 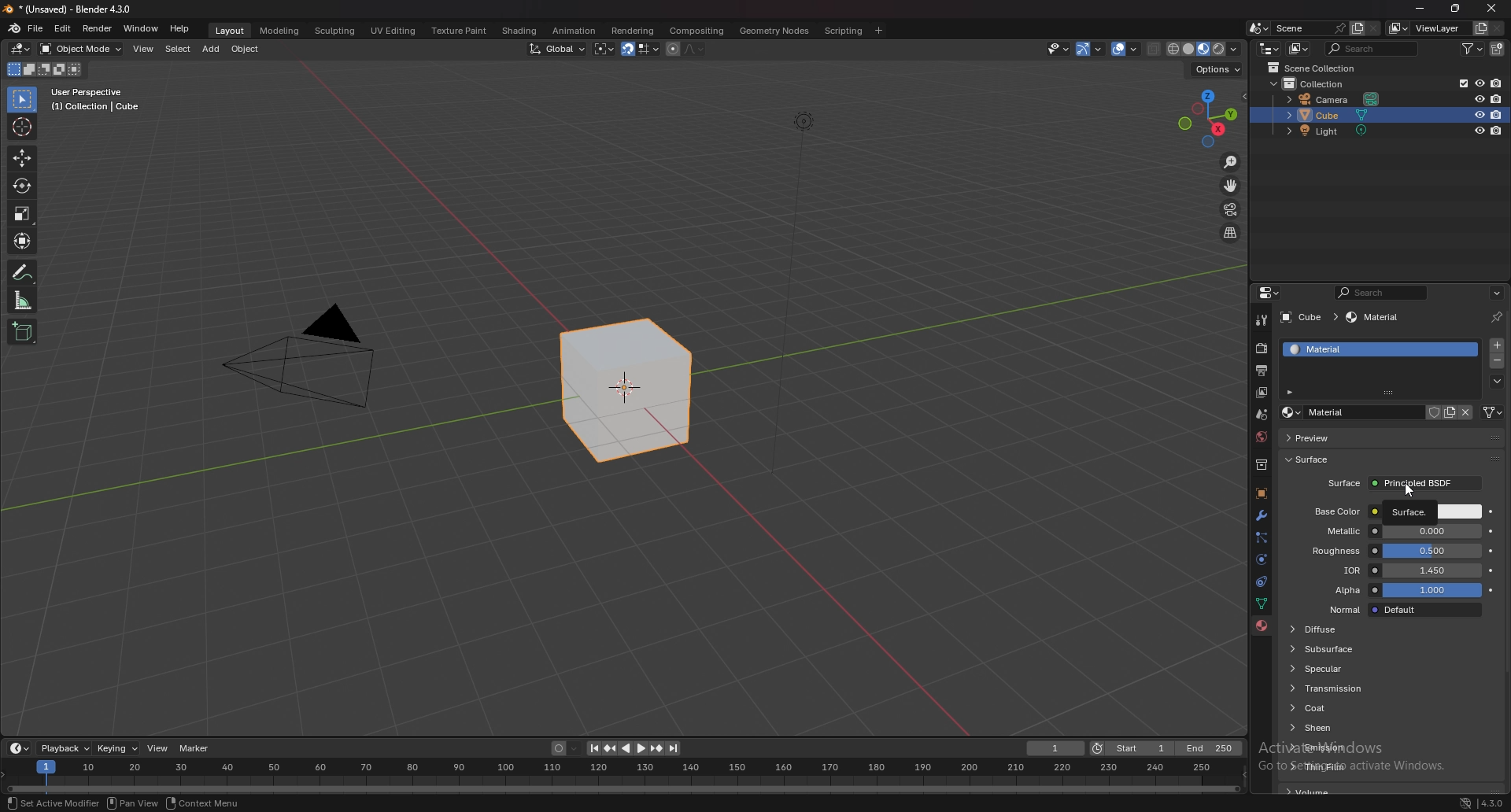 I want to click on hide in viewport, so click(x=1480, y=82).